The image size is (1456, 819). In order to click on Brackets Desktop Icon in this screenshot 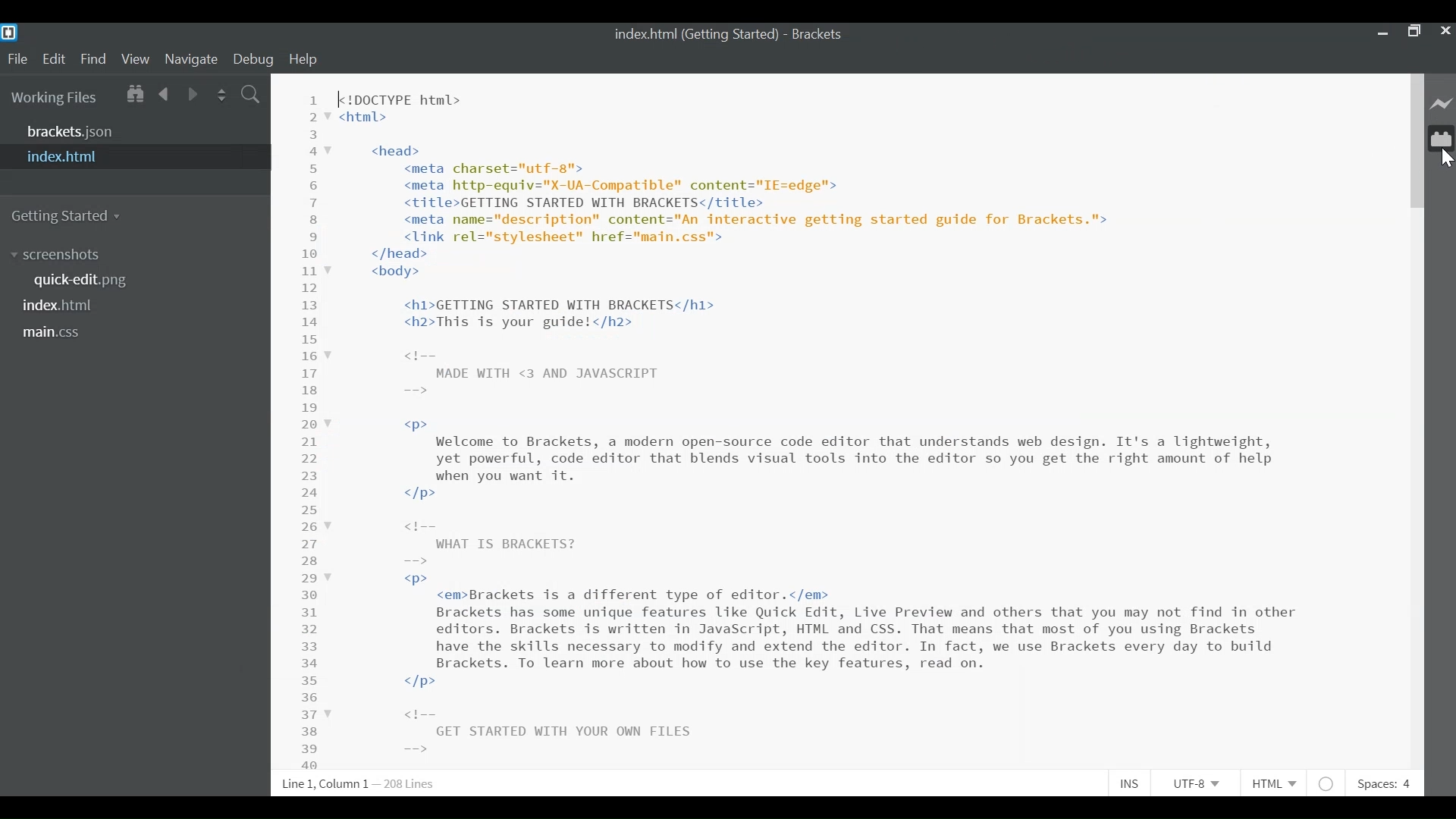, I will do `click(12, 33)`.